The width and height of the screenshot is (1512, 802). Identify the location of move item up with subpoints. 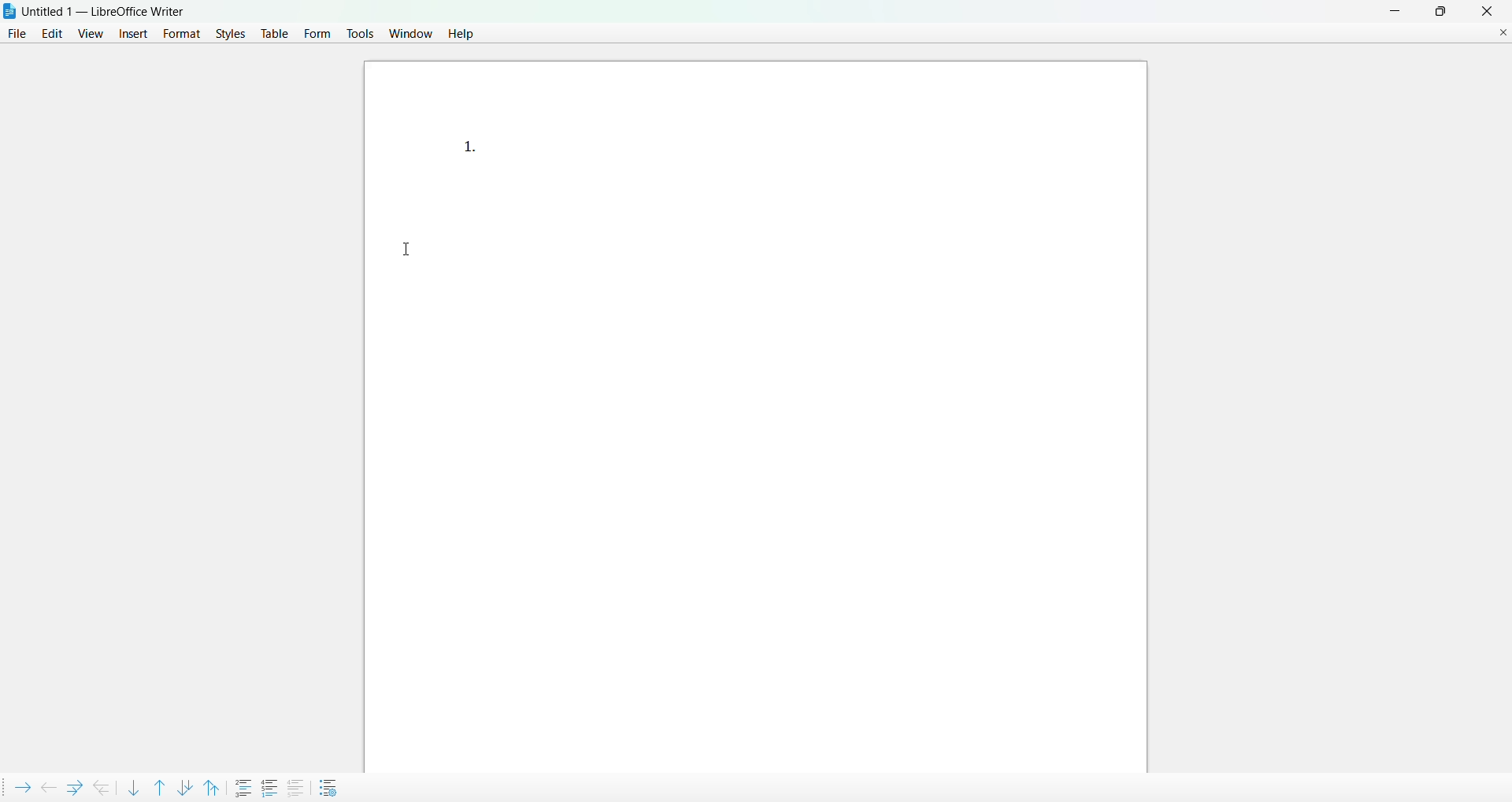
(213, 785).